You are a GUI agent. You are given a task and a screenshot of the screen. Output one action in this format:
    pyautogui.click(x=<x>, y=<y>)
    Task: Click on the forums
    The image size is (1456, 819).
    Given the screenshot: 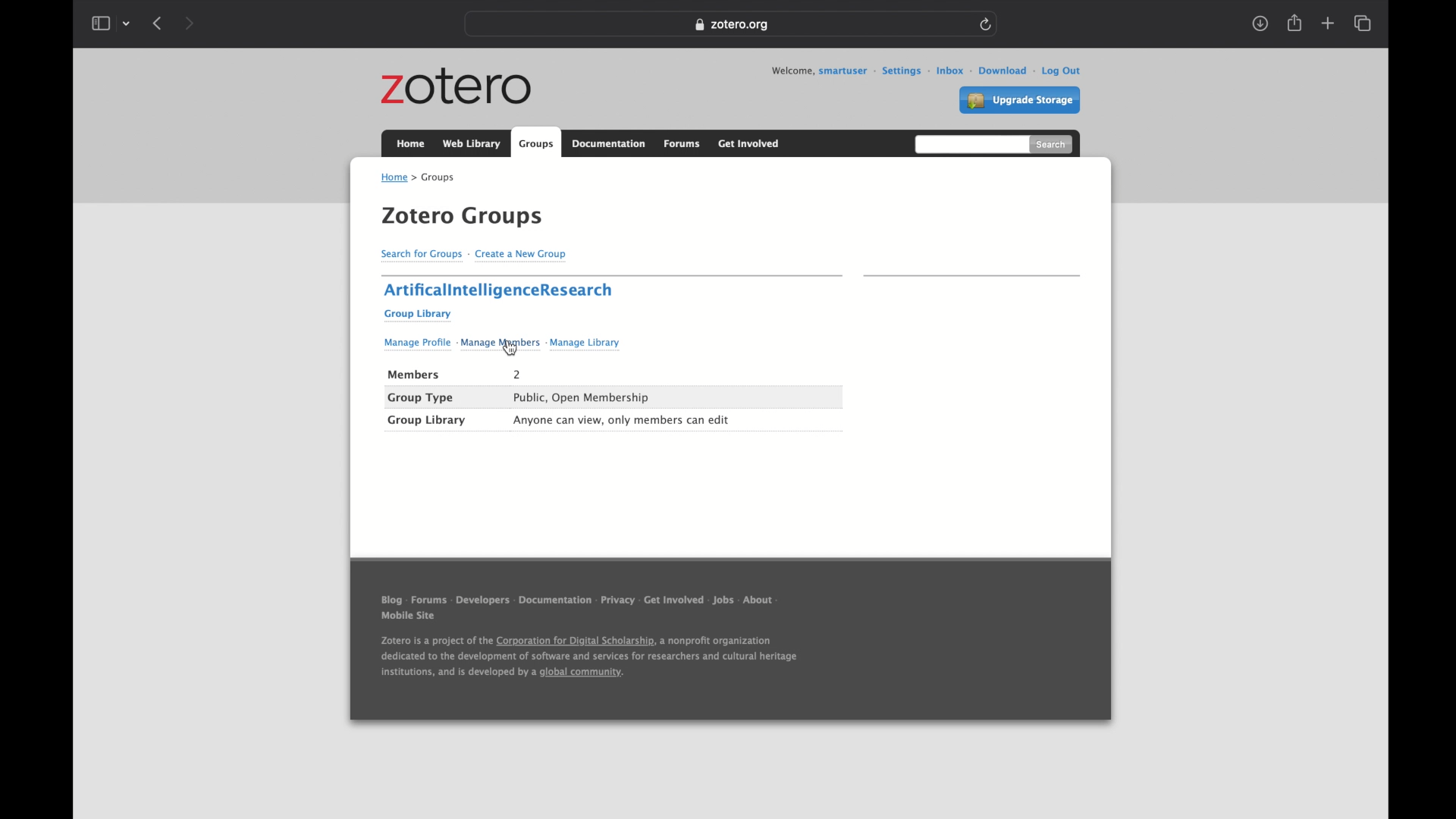 What is the action you would take?
    pyautogui.click(x=428, y=600)
    